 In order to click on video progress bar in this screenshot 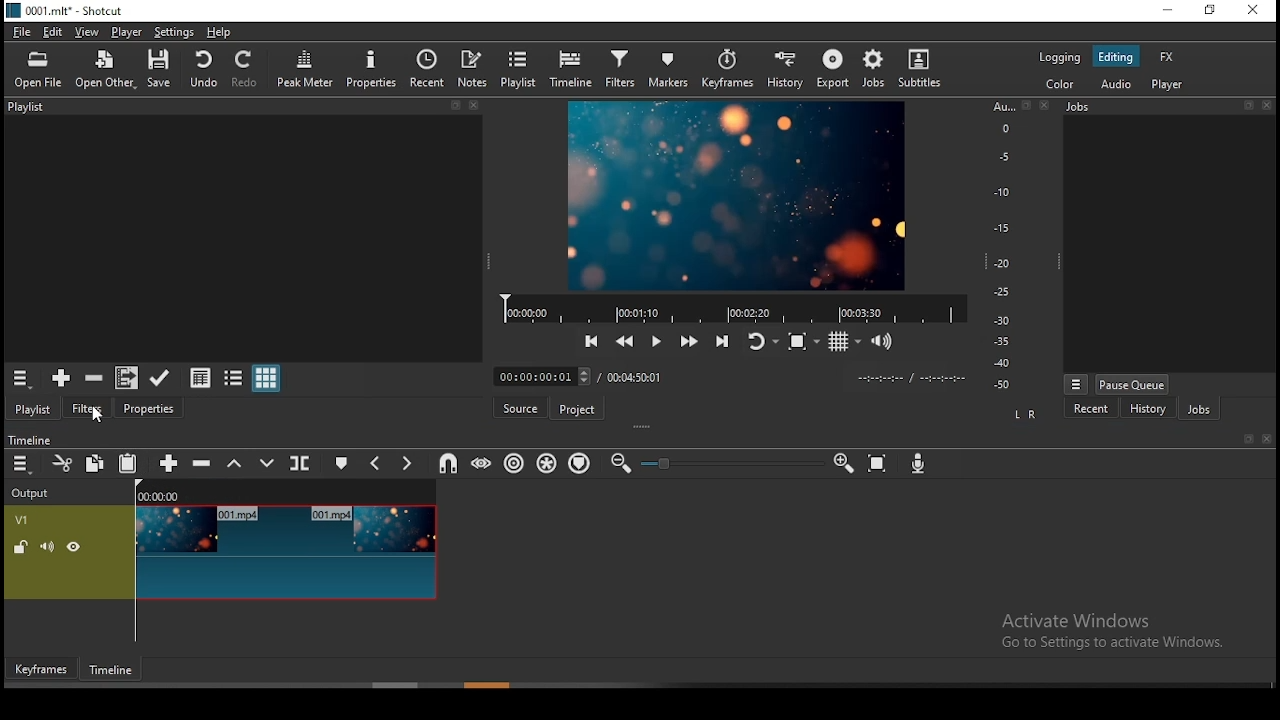, I will do `click(728, 305)`.